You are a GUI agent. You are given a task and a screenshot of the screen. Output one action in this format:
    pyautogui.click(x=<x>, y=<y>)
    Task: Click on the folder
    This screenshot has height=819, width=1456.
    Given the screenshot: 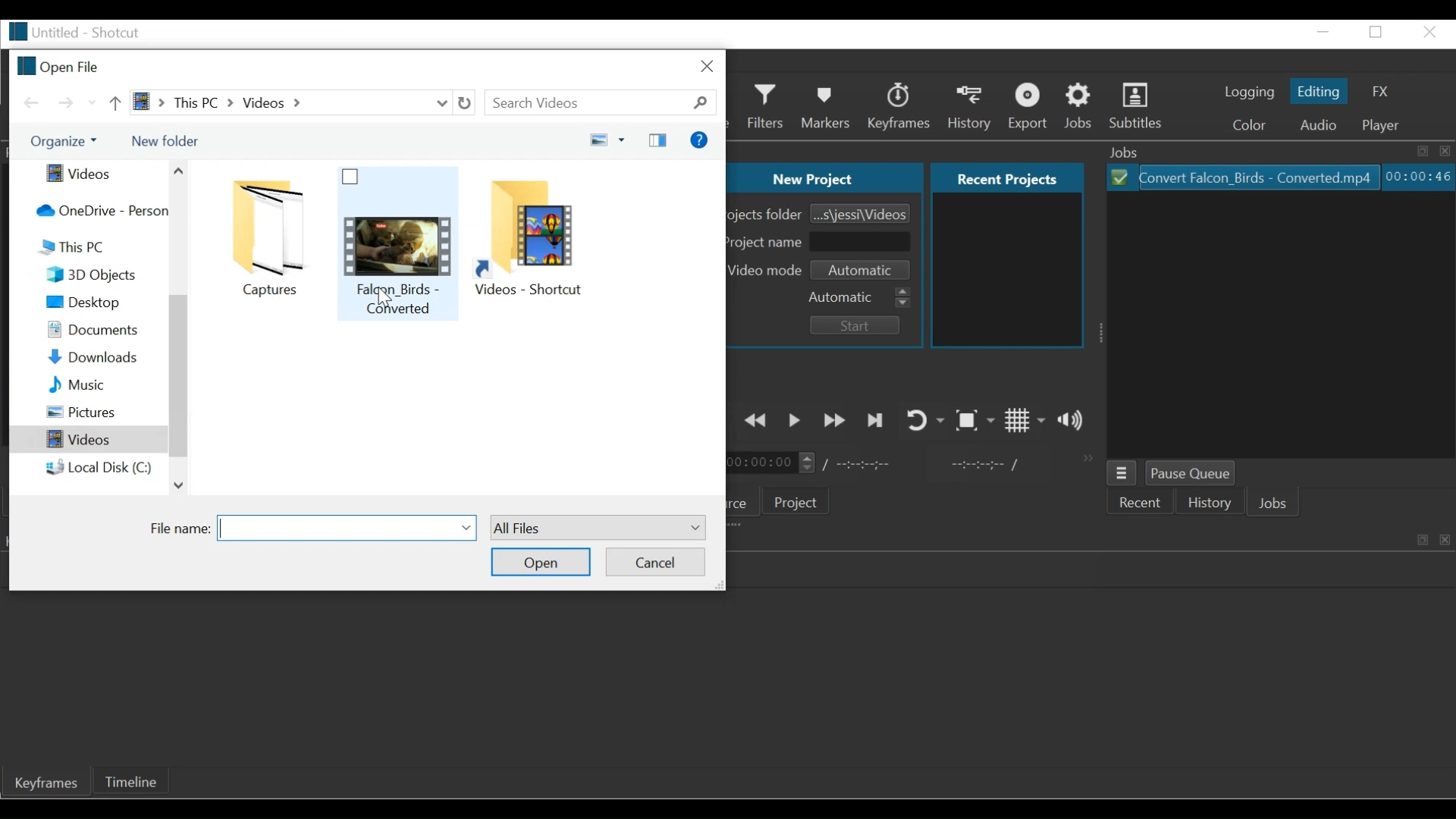 What is the action you would take?
    pyautogui.click(x=541, y=241)
    